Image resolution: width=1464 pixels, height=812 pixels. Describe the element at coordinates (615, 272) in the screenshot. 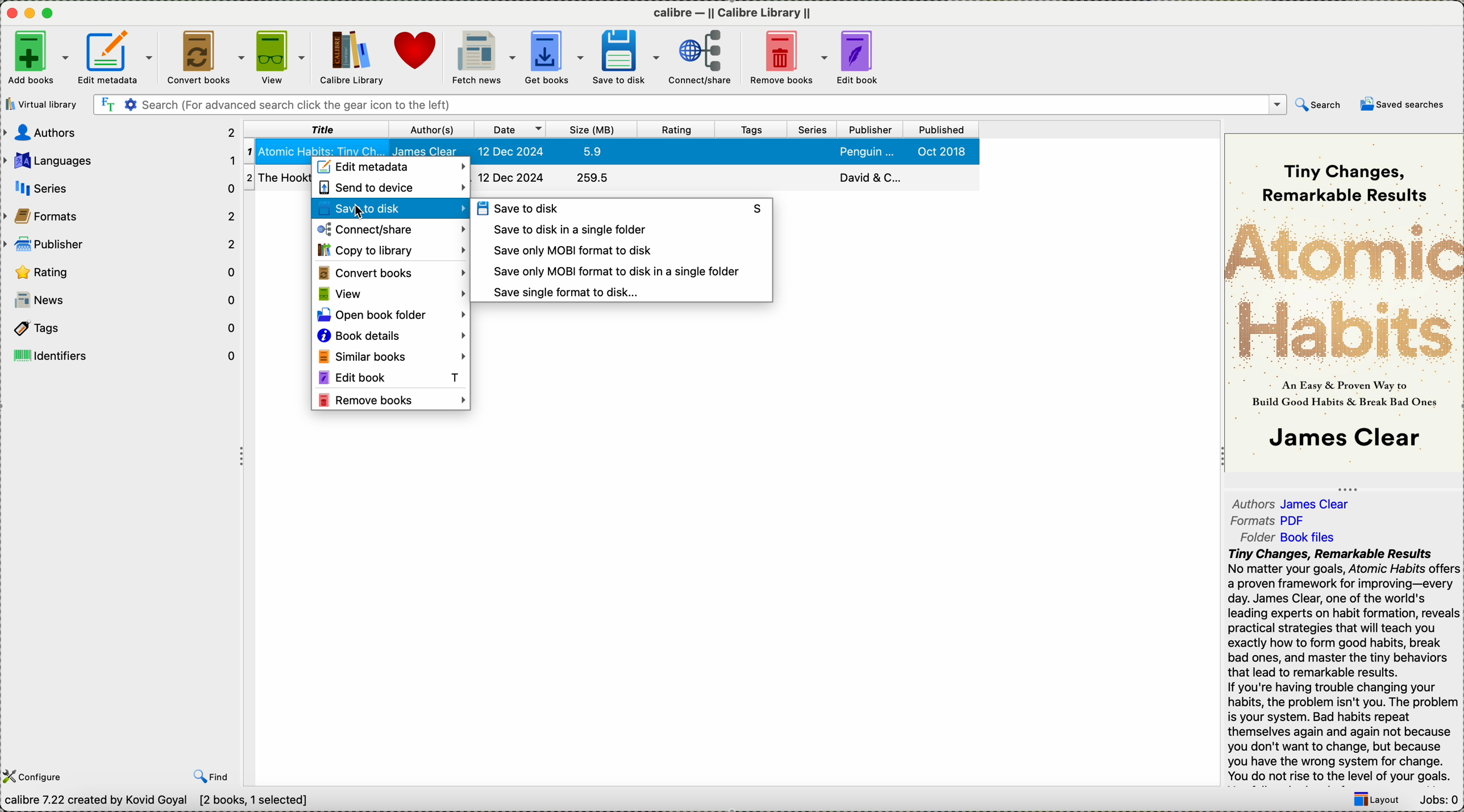

I see `save only MOBI format to disk in a single folder` at that location.